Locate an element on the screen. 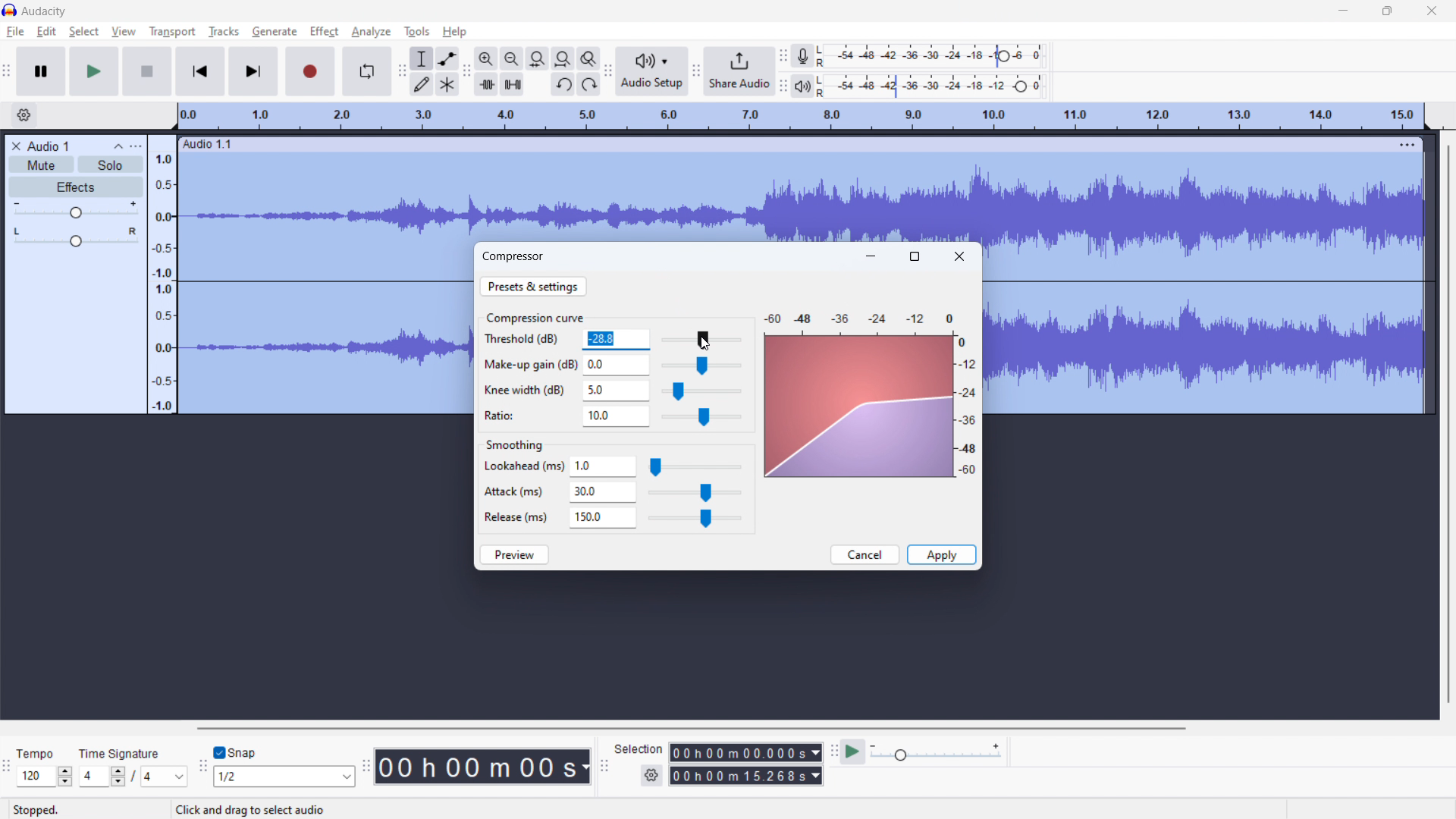 This screenshot has width=1456, height=819. record is located at coordinates (311, 71).